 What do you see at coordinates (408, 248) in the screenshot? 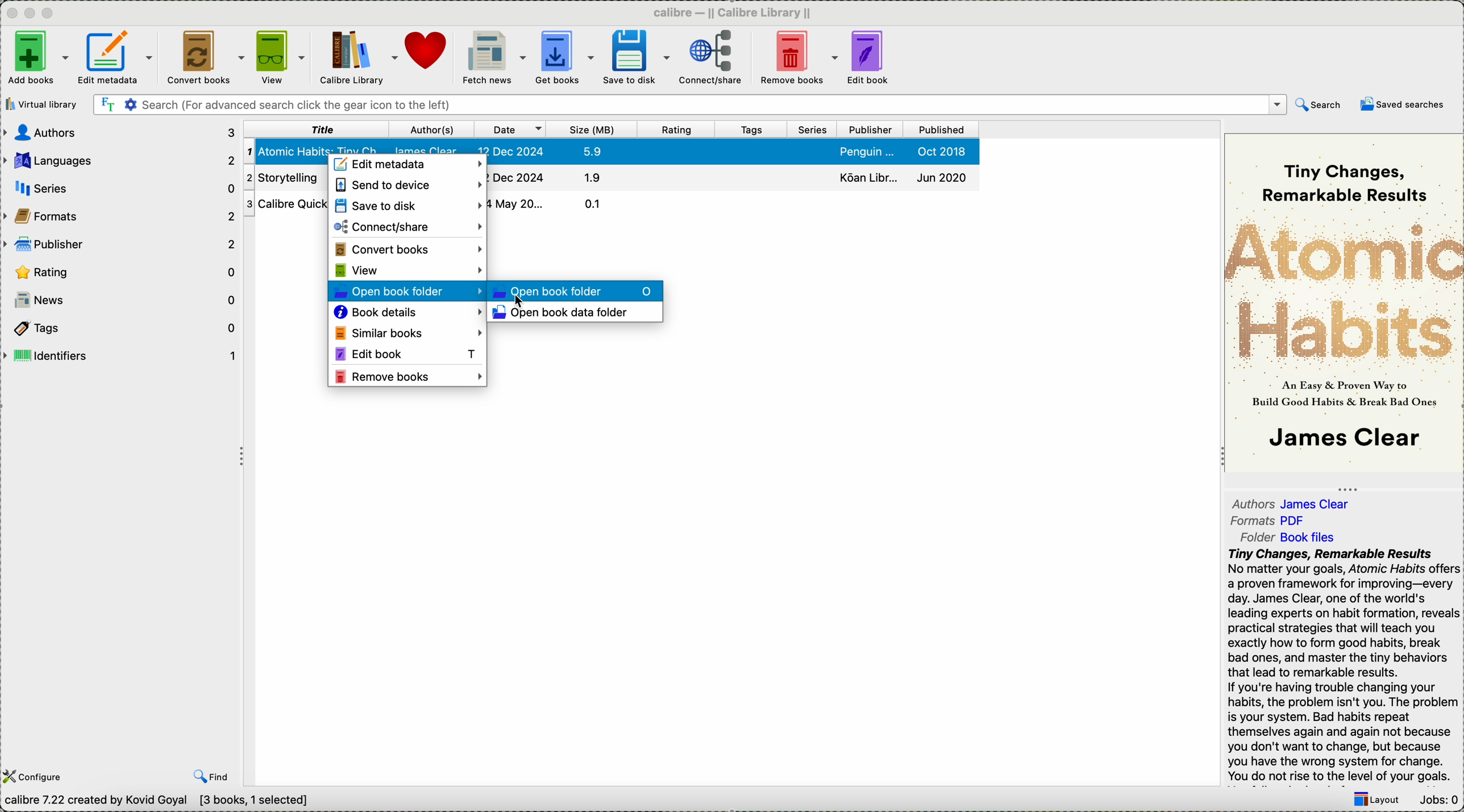
I see `convert books` at bounding box center [408, 248].